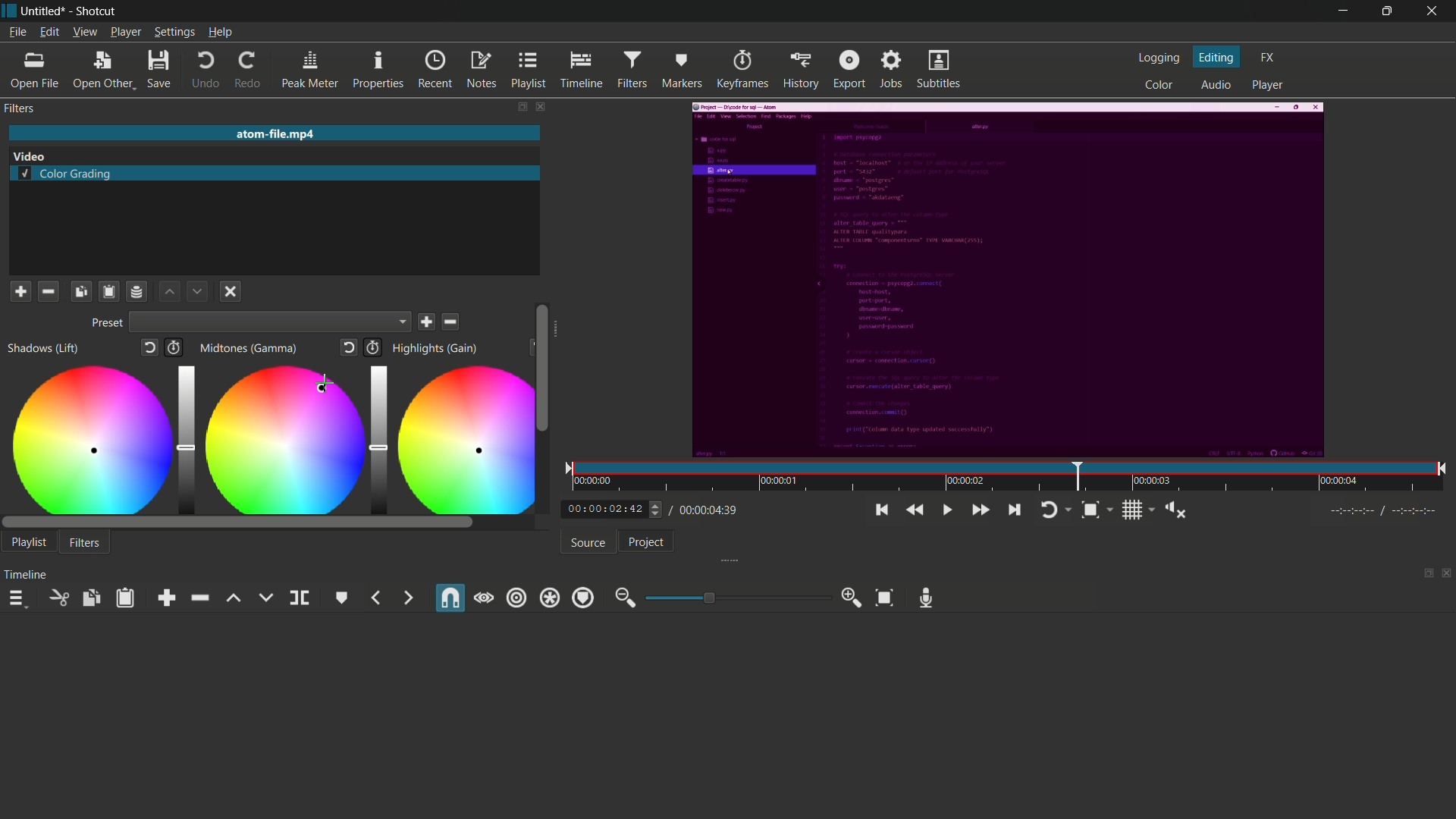  What do you see at coordinates (85, 544) in the screenshot?
I see `filters` at bounding box center [85, 544].